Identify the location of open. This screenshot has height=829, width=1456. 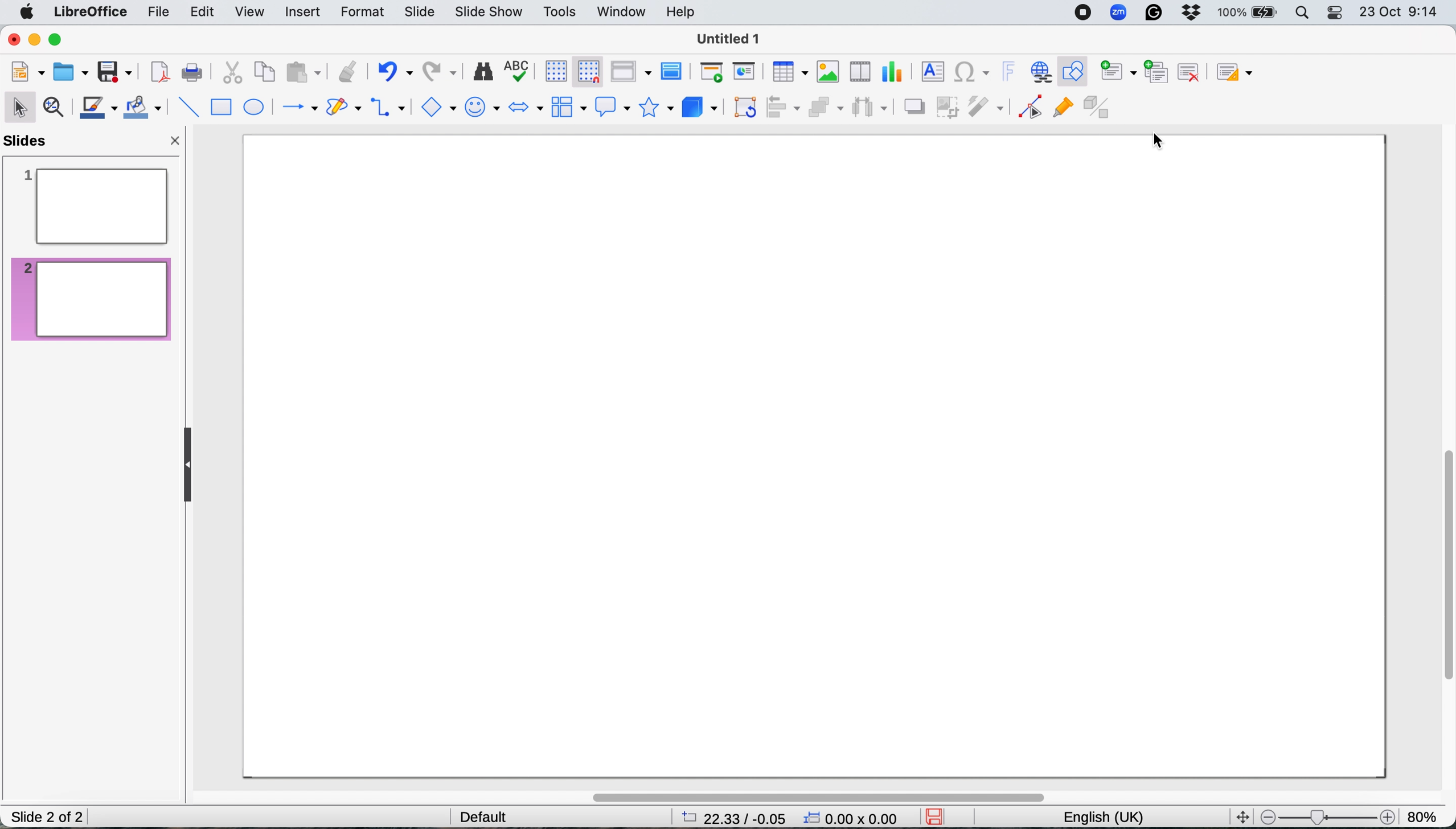
(71, 73).